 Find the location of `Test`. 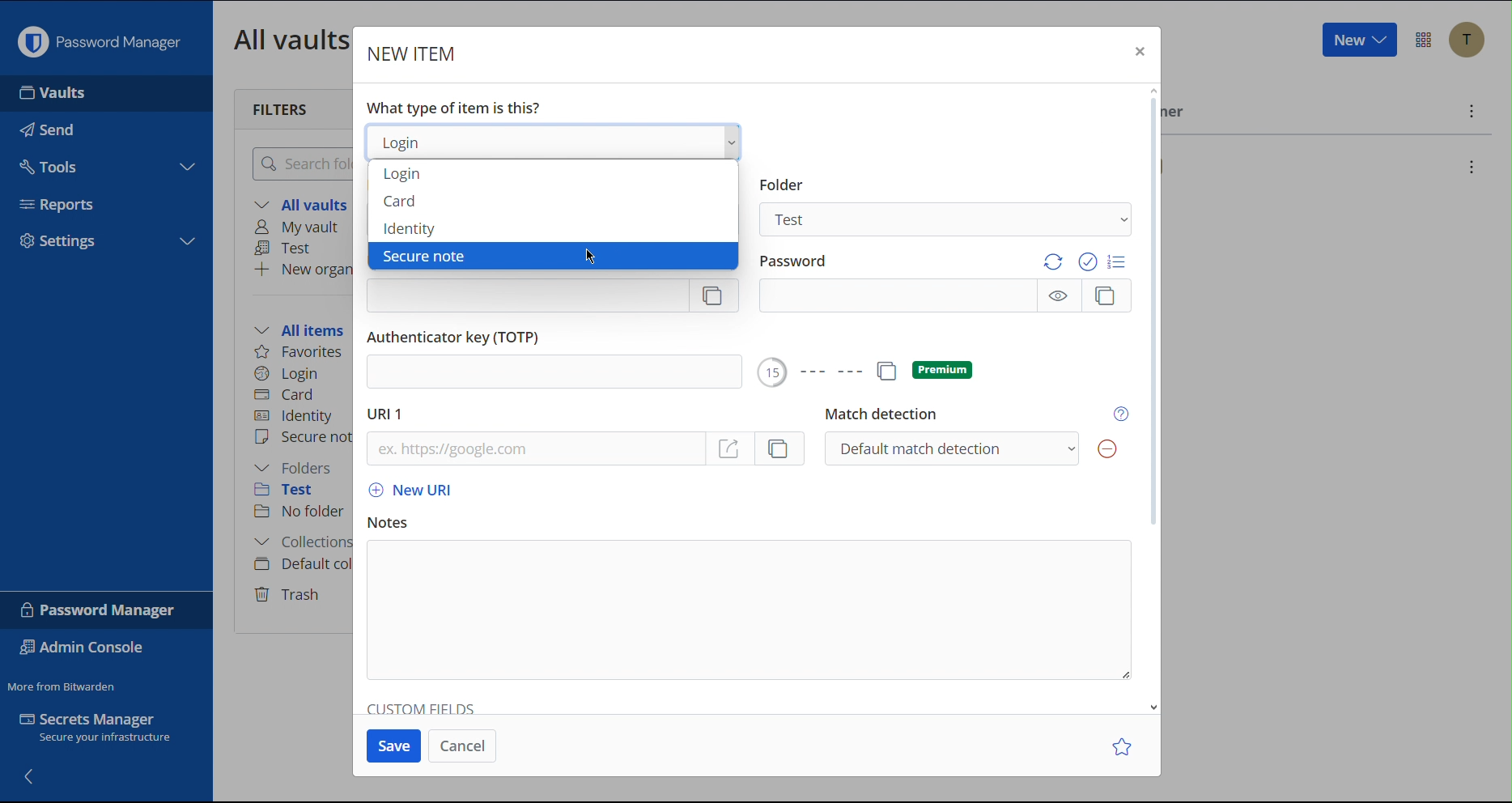

Test is located at coordinates (295, 492).